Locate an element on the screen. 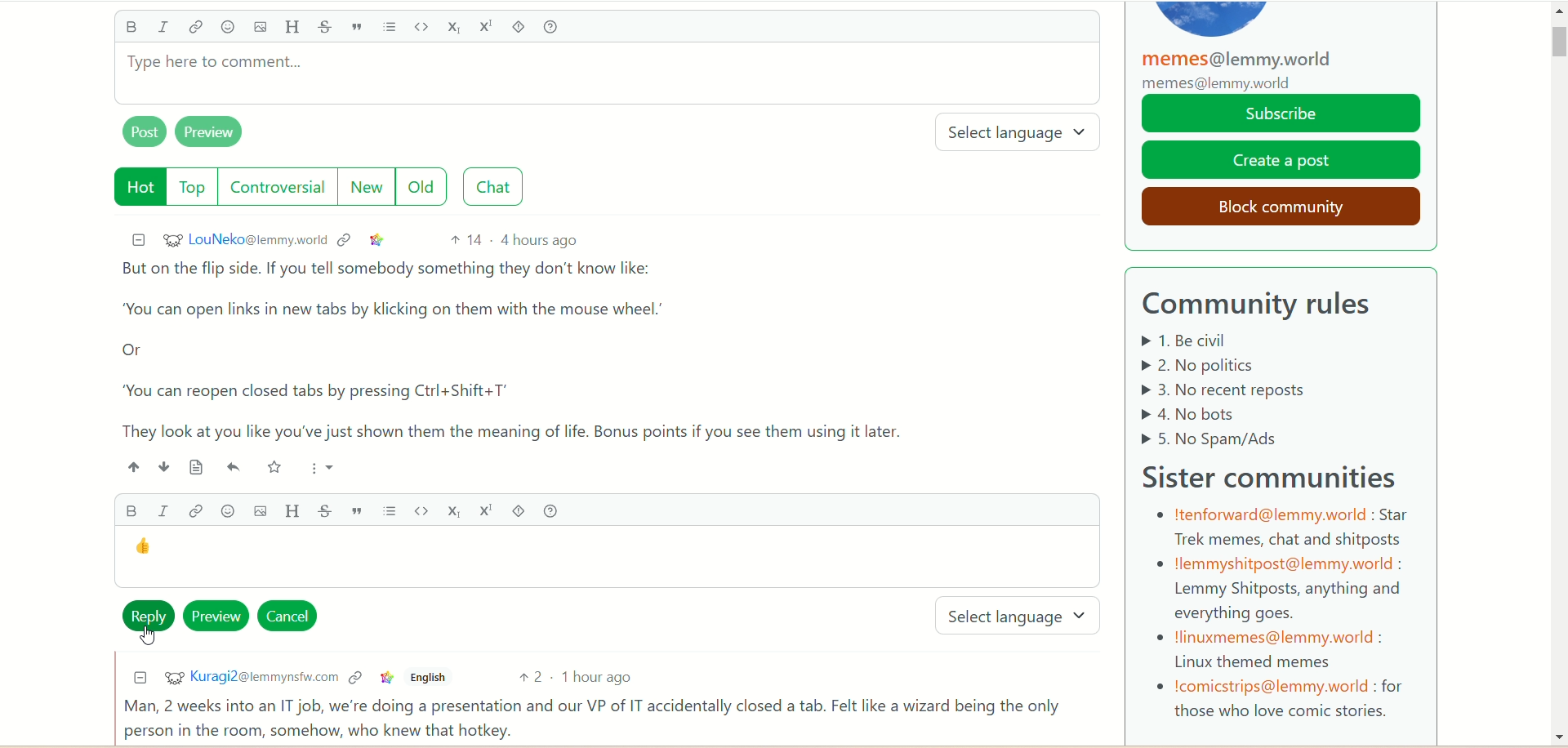 The width and height of the screenshot is (1568, 748). 1 hour ago is located at coordinates (605, 679).